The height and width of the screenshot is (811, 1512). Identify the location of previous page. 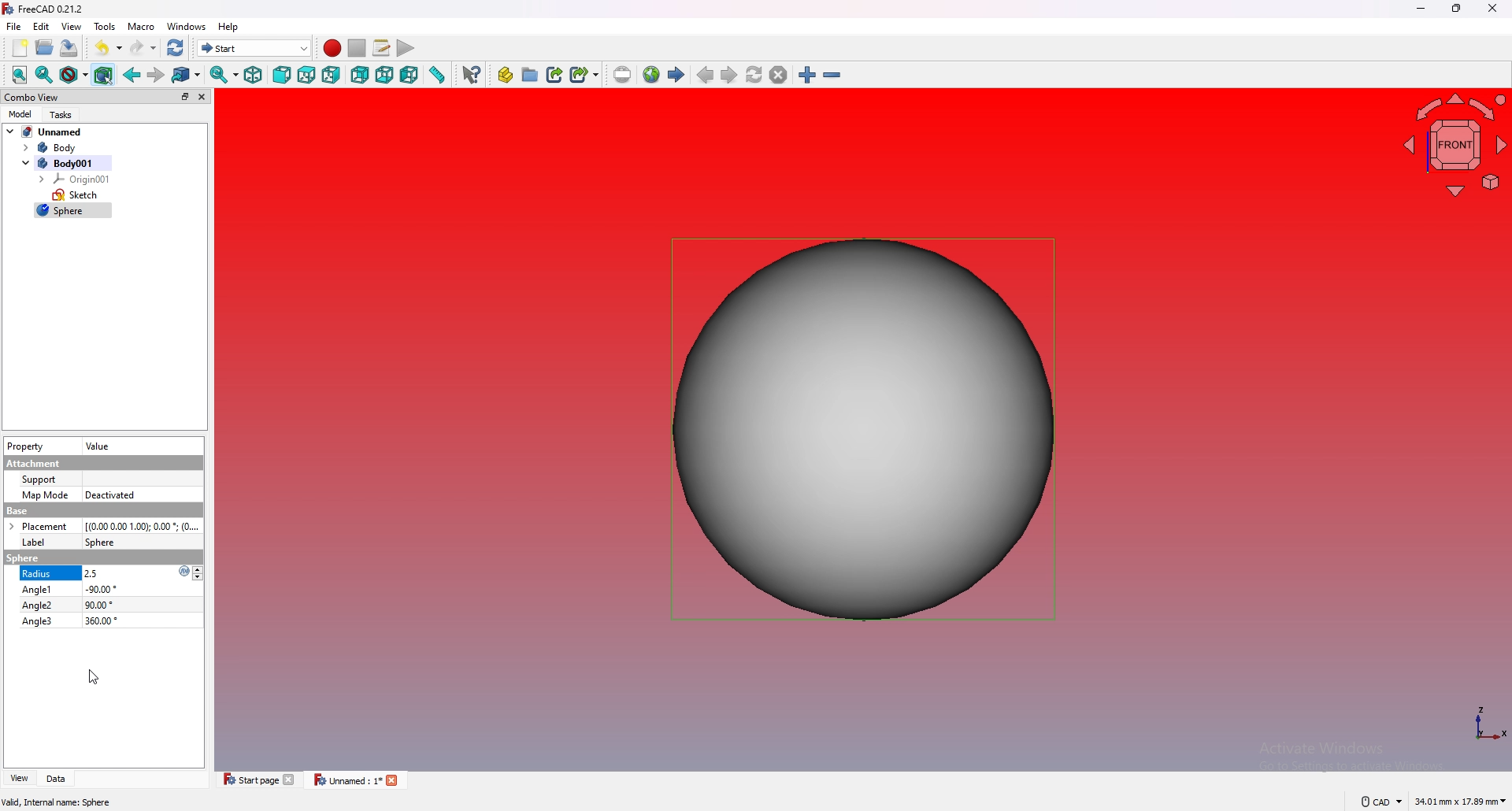
(706, 76).